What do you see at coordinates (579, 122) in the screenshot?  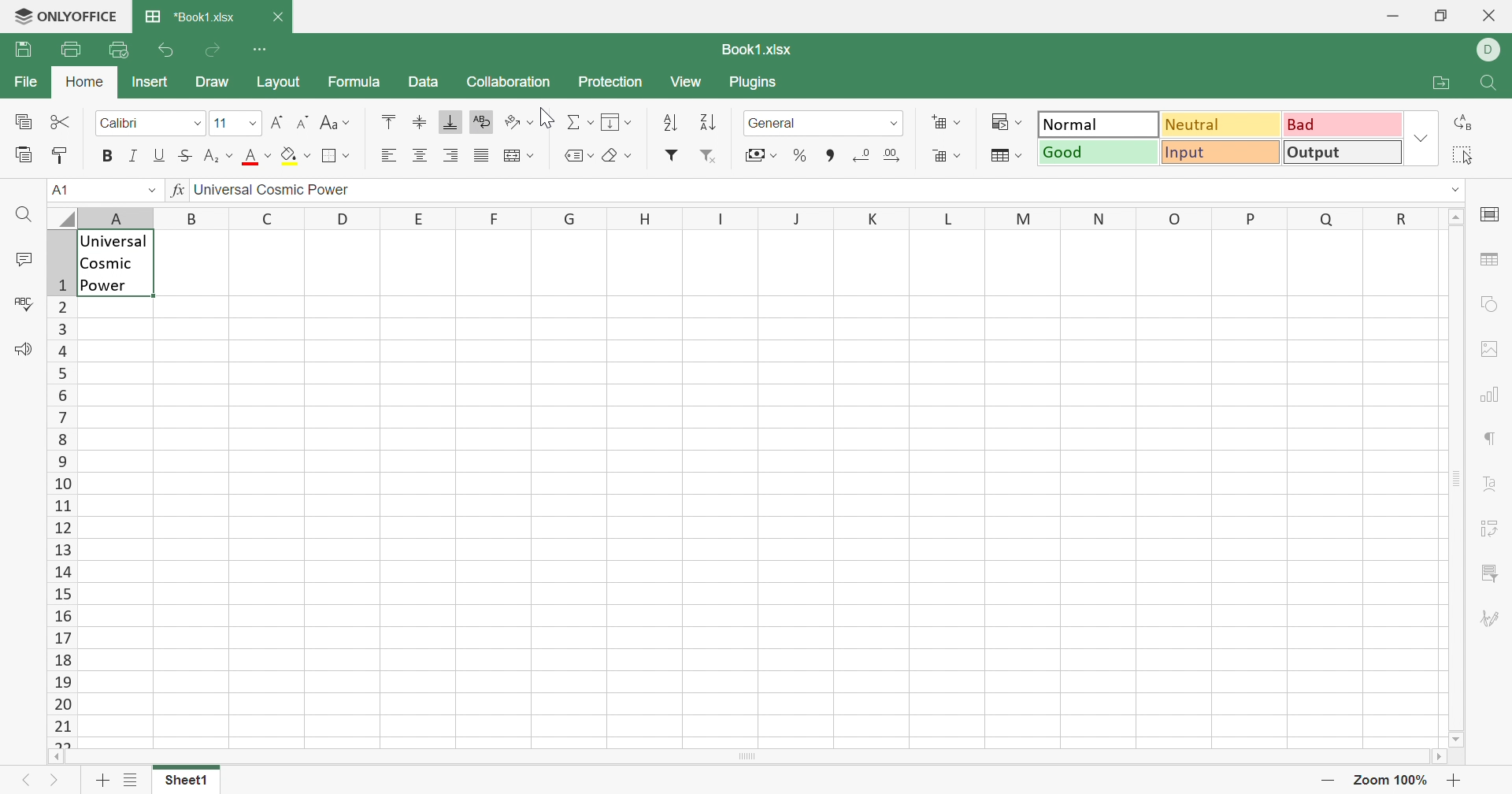 I see `Summation` at bounding box center [579, 122].